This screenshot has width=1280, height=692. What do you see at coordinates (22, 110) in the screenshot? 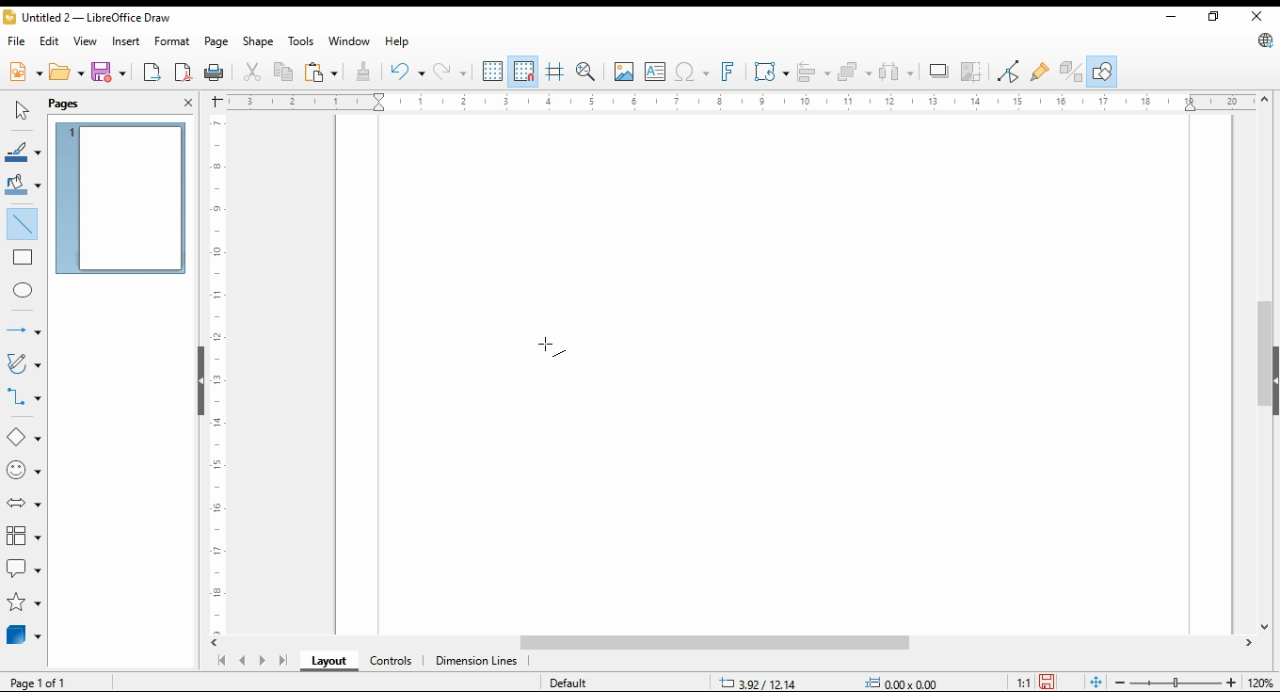
I see `select` at bounding box center [22, 110].